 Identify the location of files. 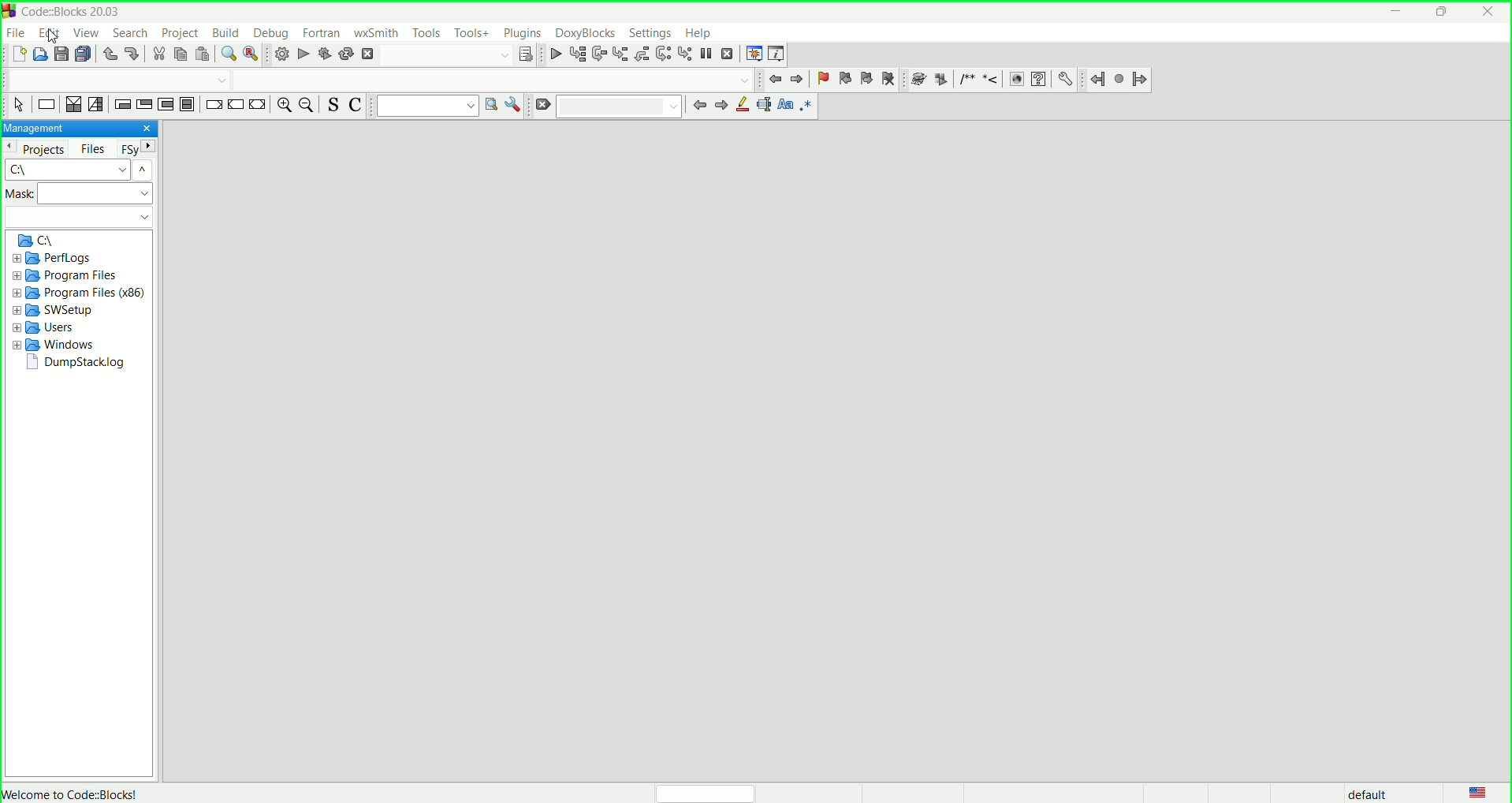
(91, 148).